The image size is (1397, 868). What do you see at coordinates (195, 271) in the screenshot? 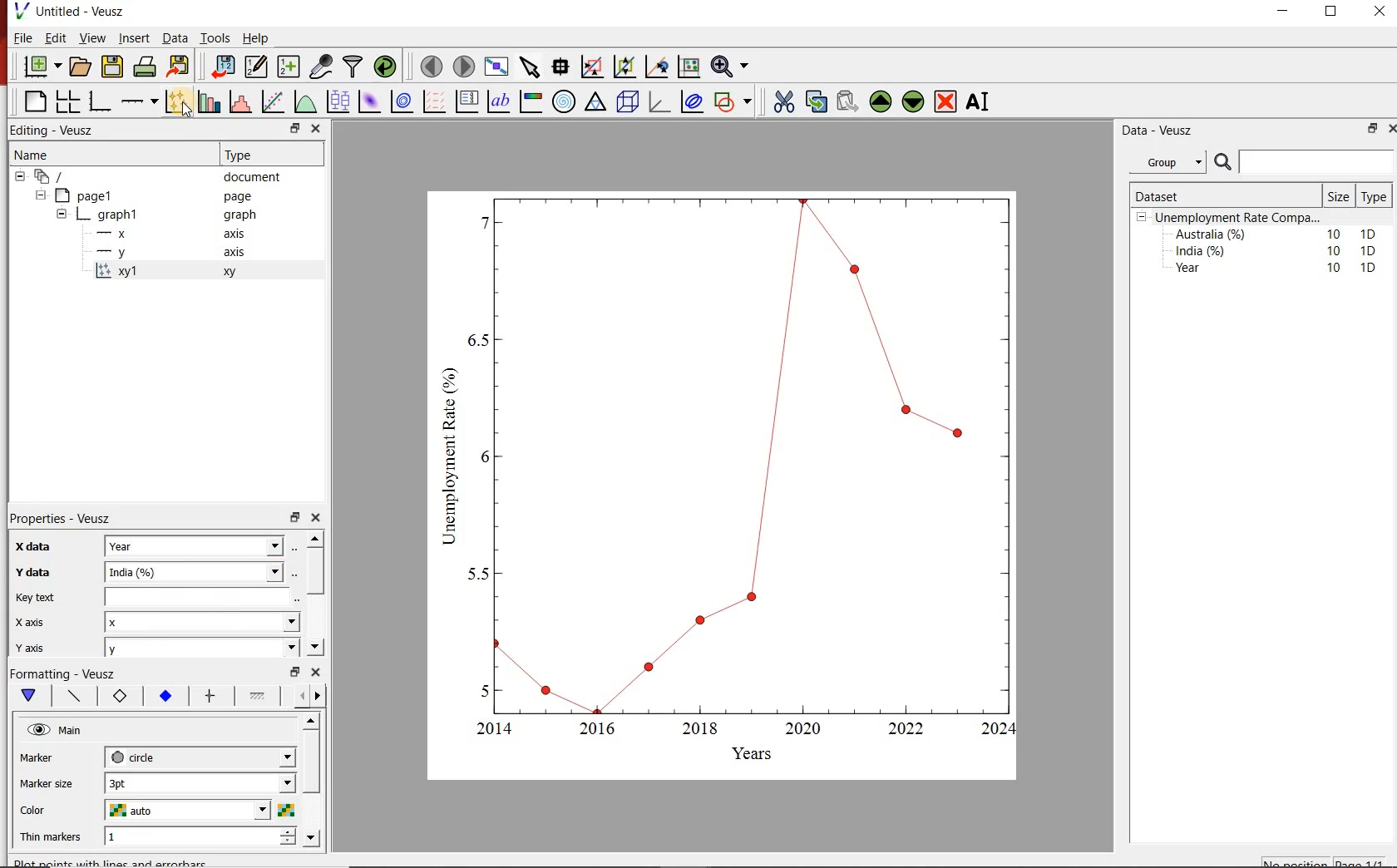
I see `xy 1 xy` at bounding box center [195, 271].